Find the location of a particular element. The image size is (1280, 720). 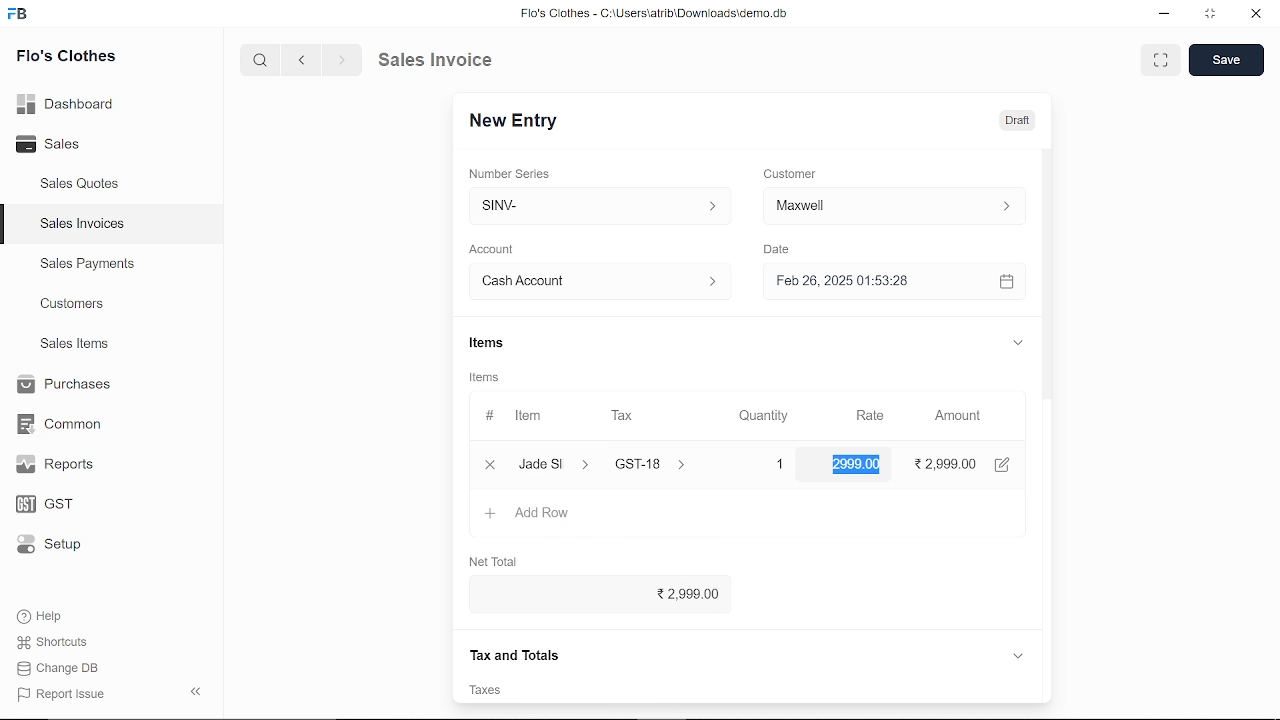

Tax is located at coordinates (626, 416).